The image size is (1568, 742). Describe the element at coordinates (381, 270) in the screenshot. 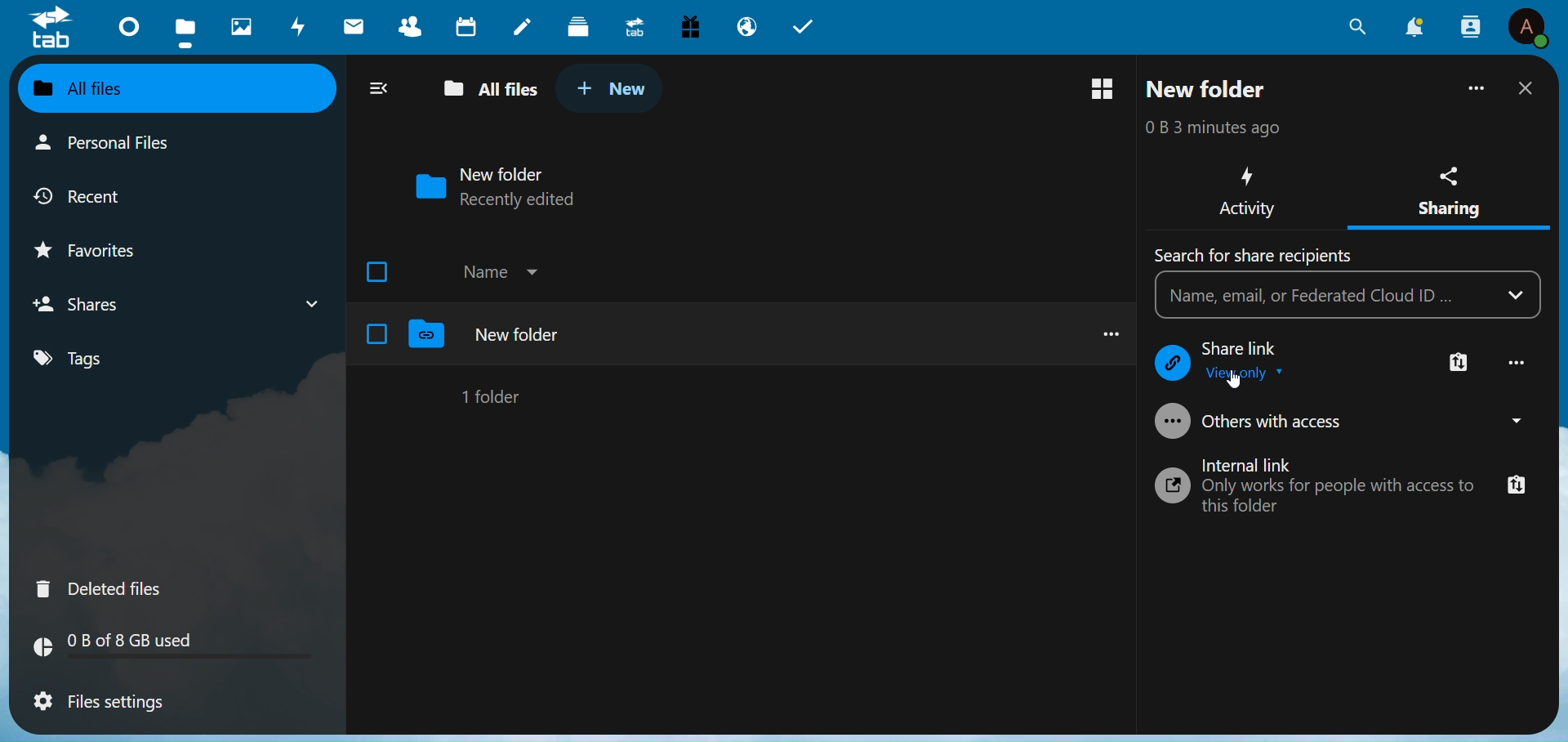

I see `Check box` at that location.